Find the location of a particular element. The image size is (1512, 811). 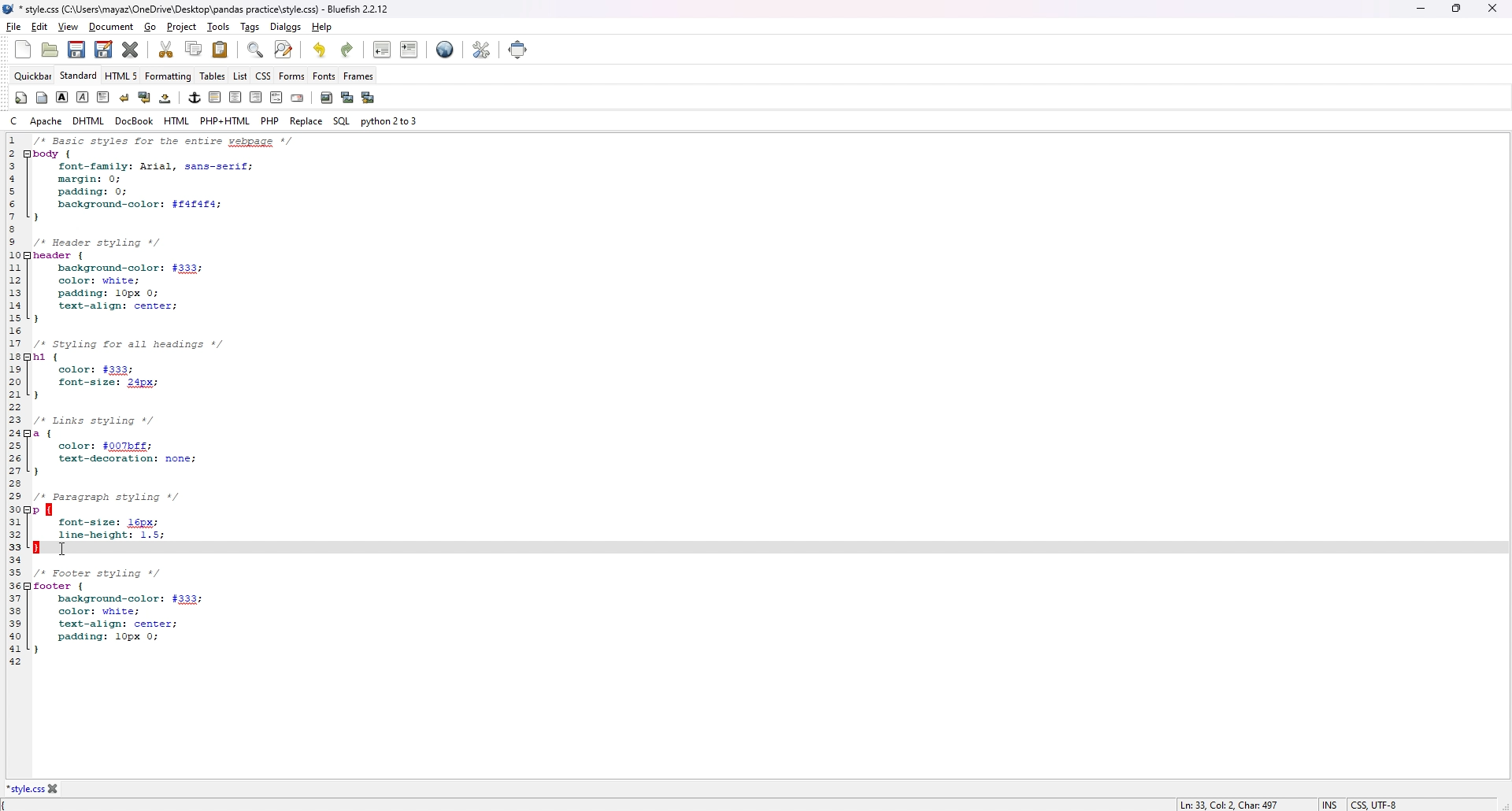

new is located at coordinates (23, 49).